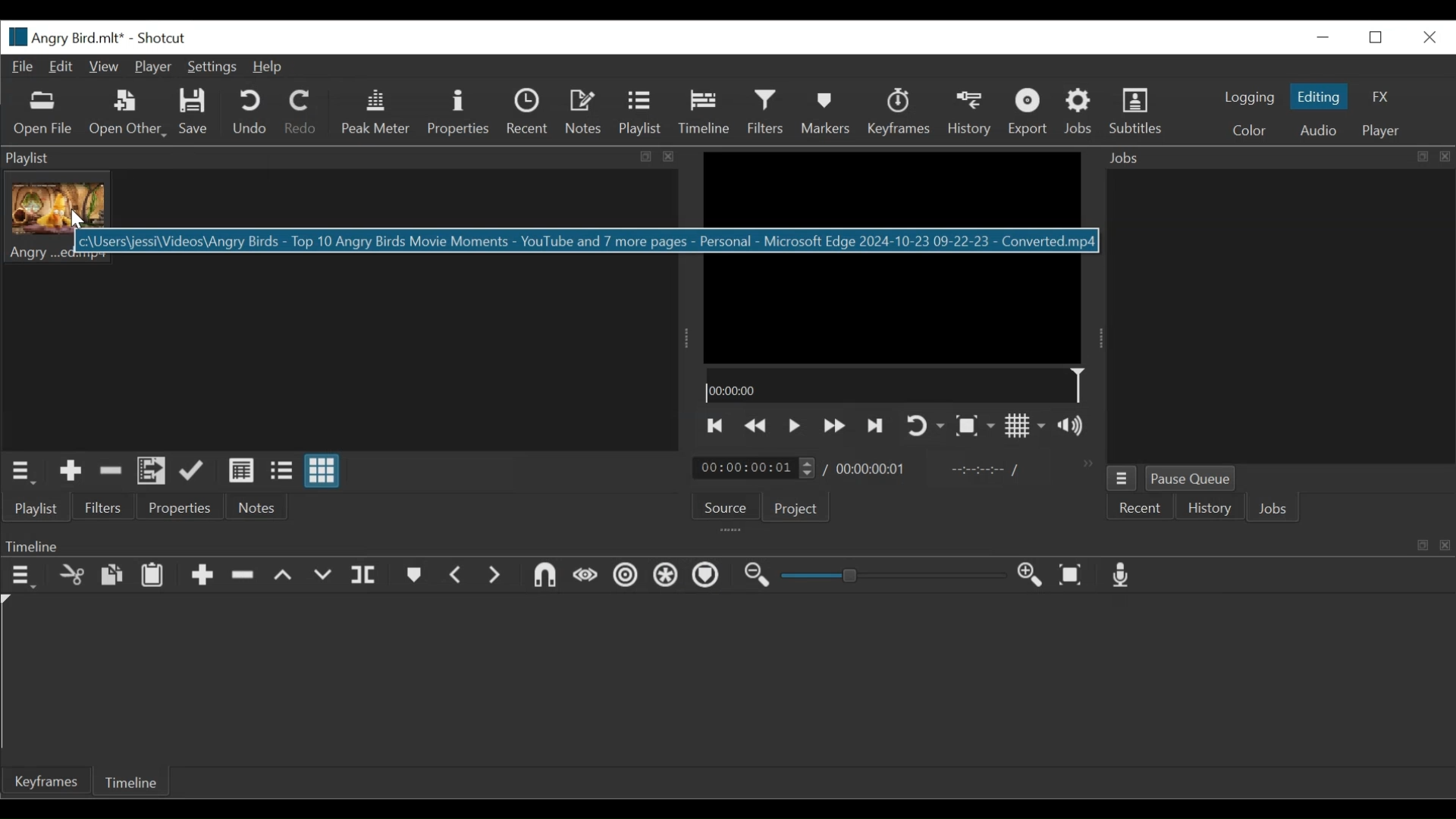 The width and height of the screenshot is (1456, 819). What do you see at coordinates (834, 425) in the screenshot?
I see `Play forward quickly` at bounding box center [834, 425].